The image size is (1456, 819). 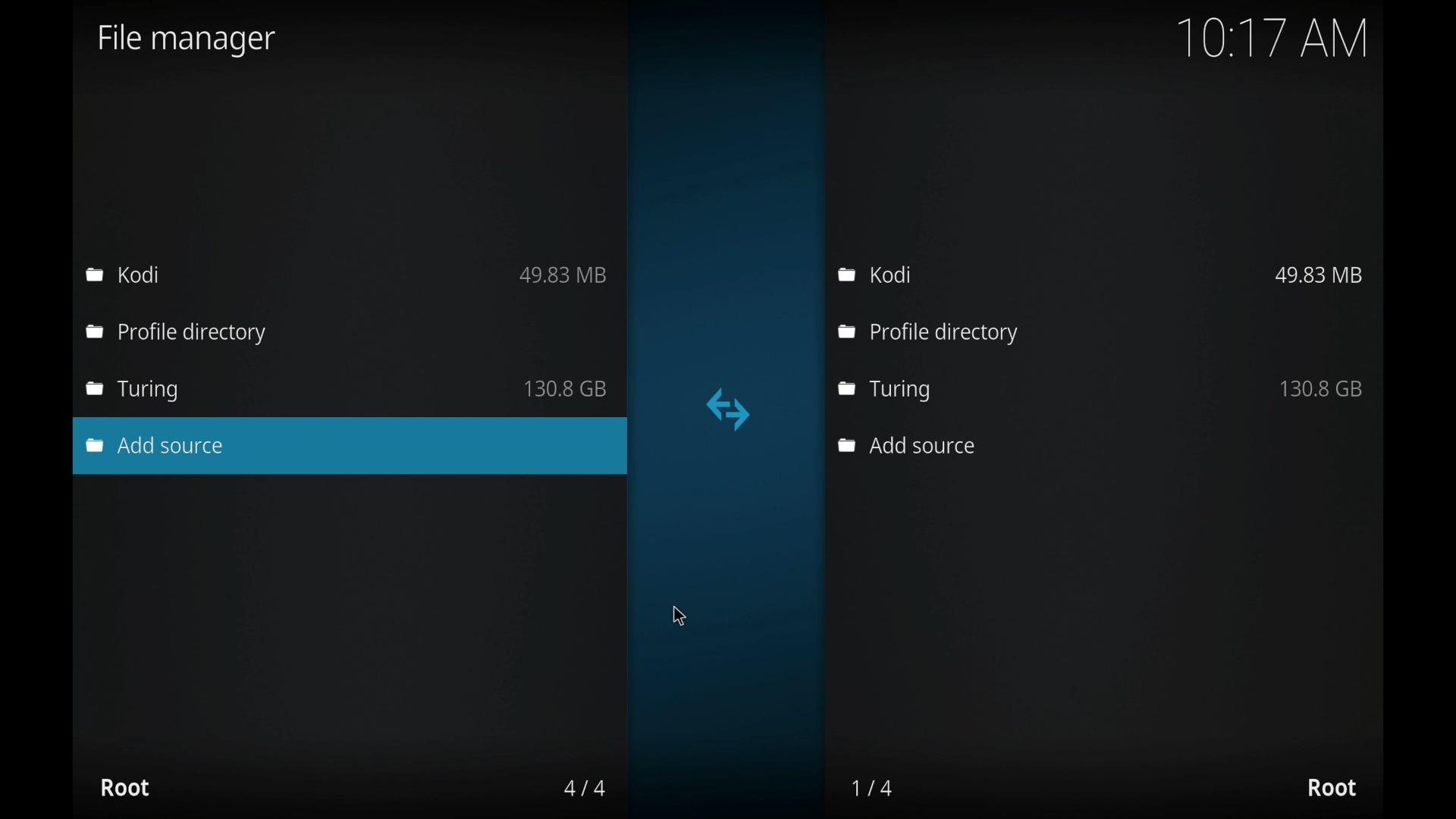 What do you see at coordinates (877, 275) in the screenshot?
I see `kodi` at bounding box center [877, 275].